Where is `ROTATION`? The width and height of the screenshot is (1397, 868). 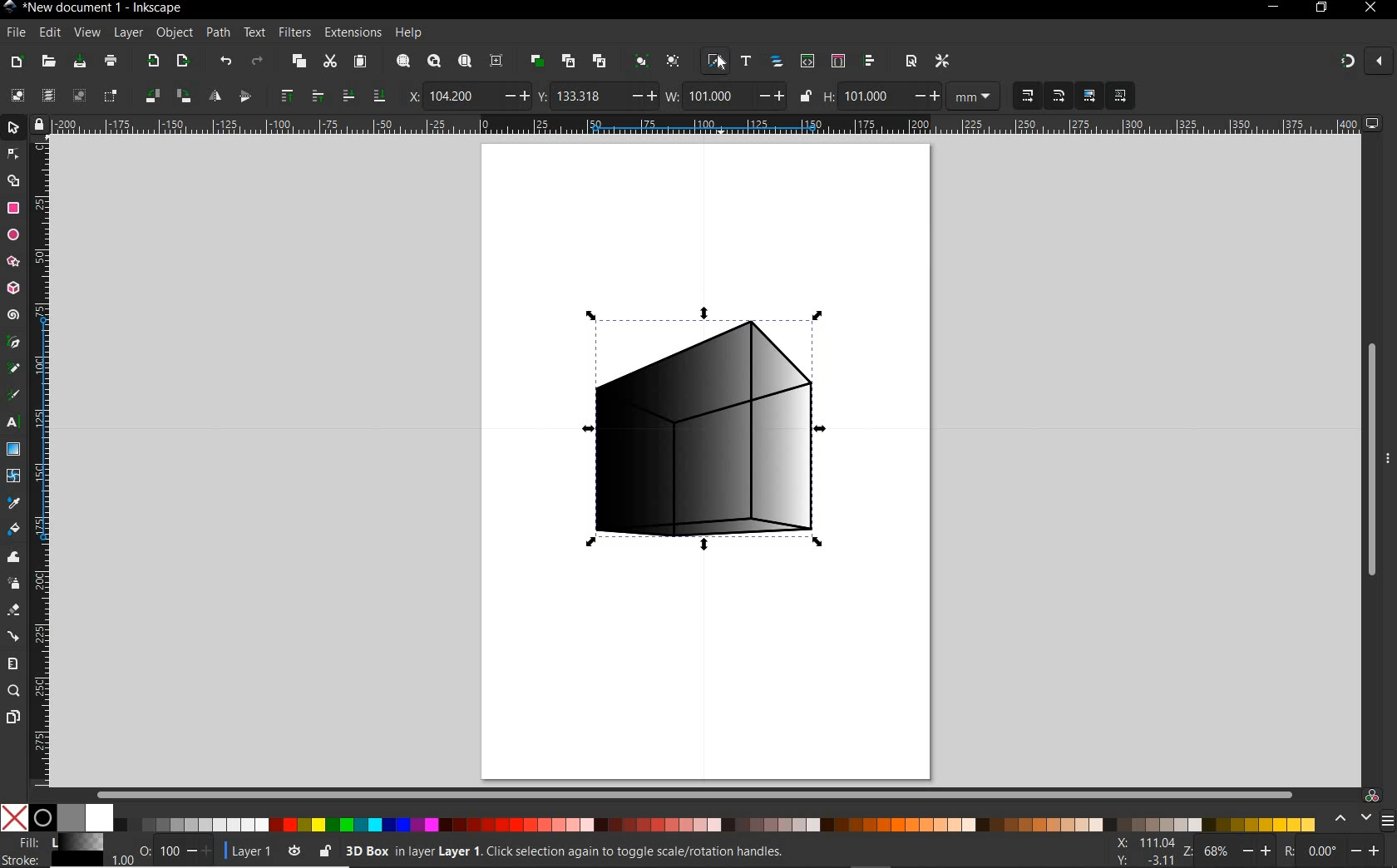
ROTATION is located at coordinates (1287, 851).